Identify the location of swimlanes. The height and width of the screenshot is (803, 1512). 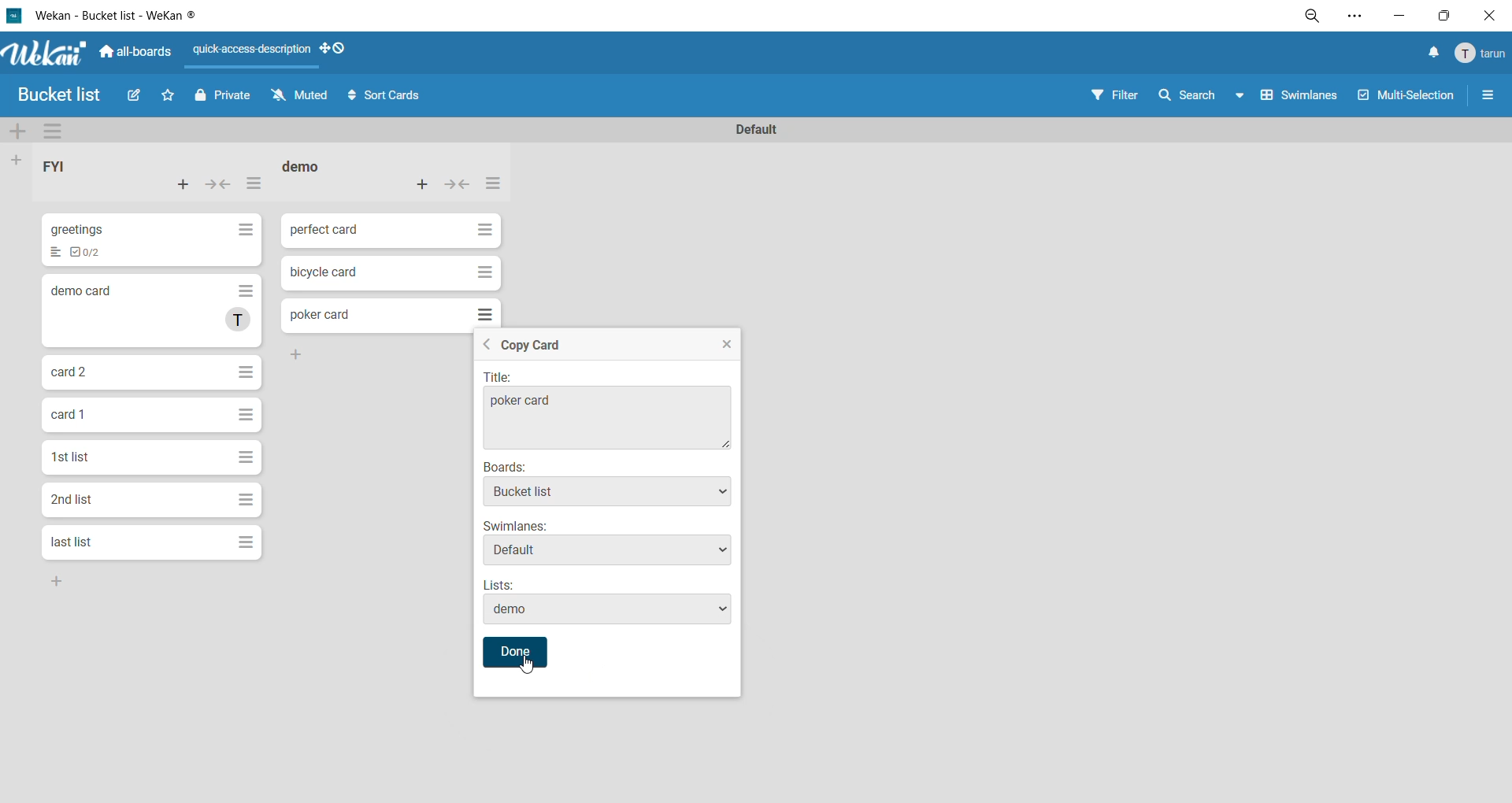
(1303, 98).